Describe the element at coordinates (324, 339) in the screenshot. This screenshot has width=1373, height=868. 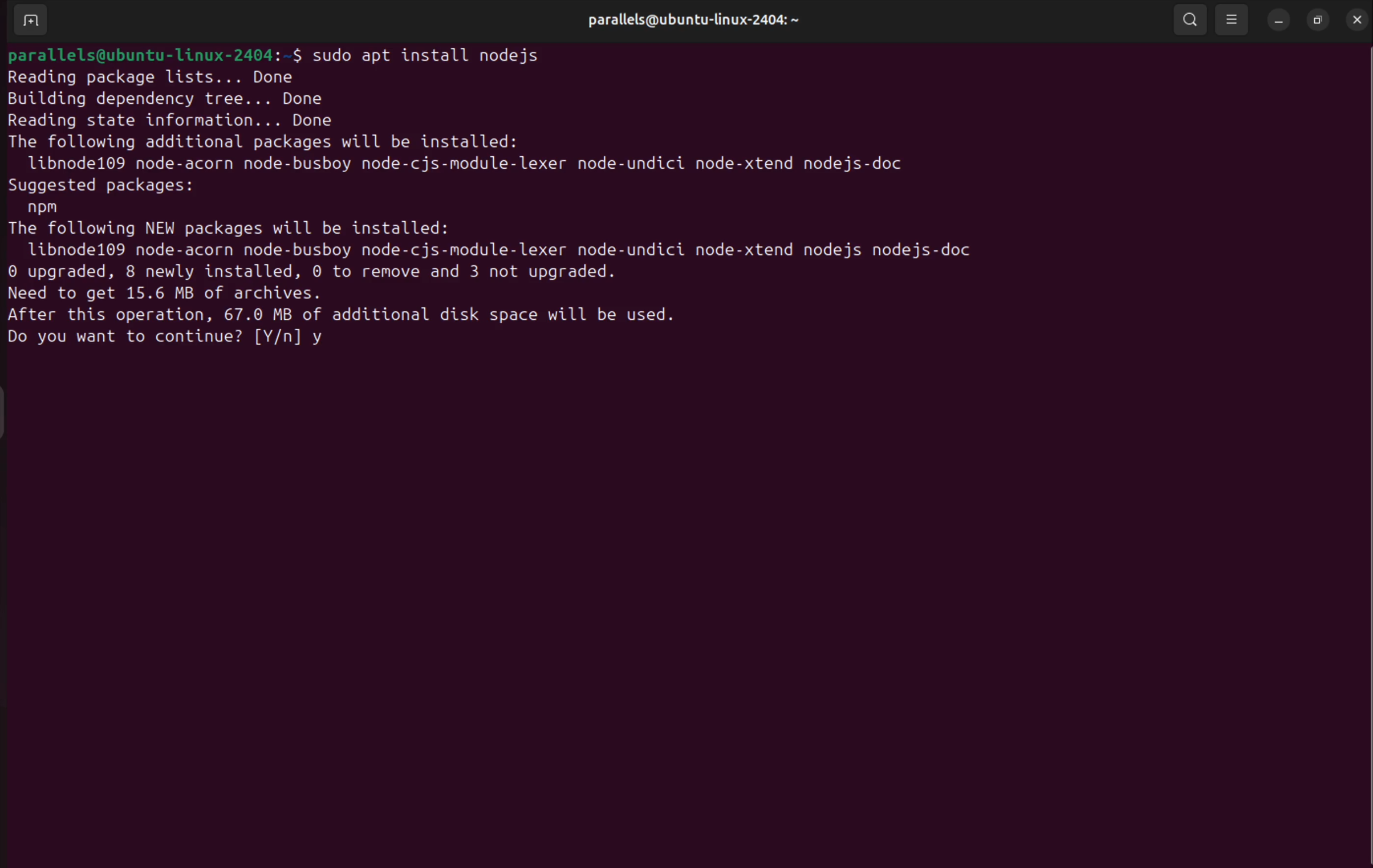
I see `y` at that location.